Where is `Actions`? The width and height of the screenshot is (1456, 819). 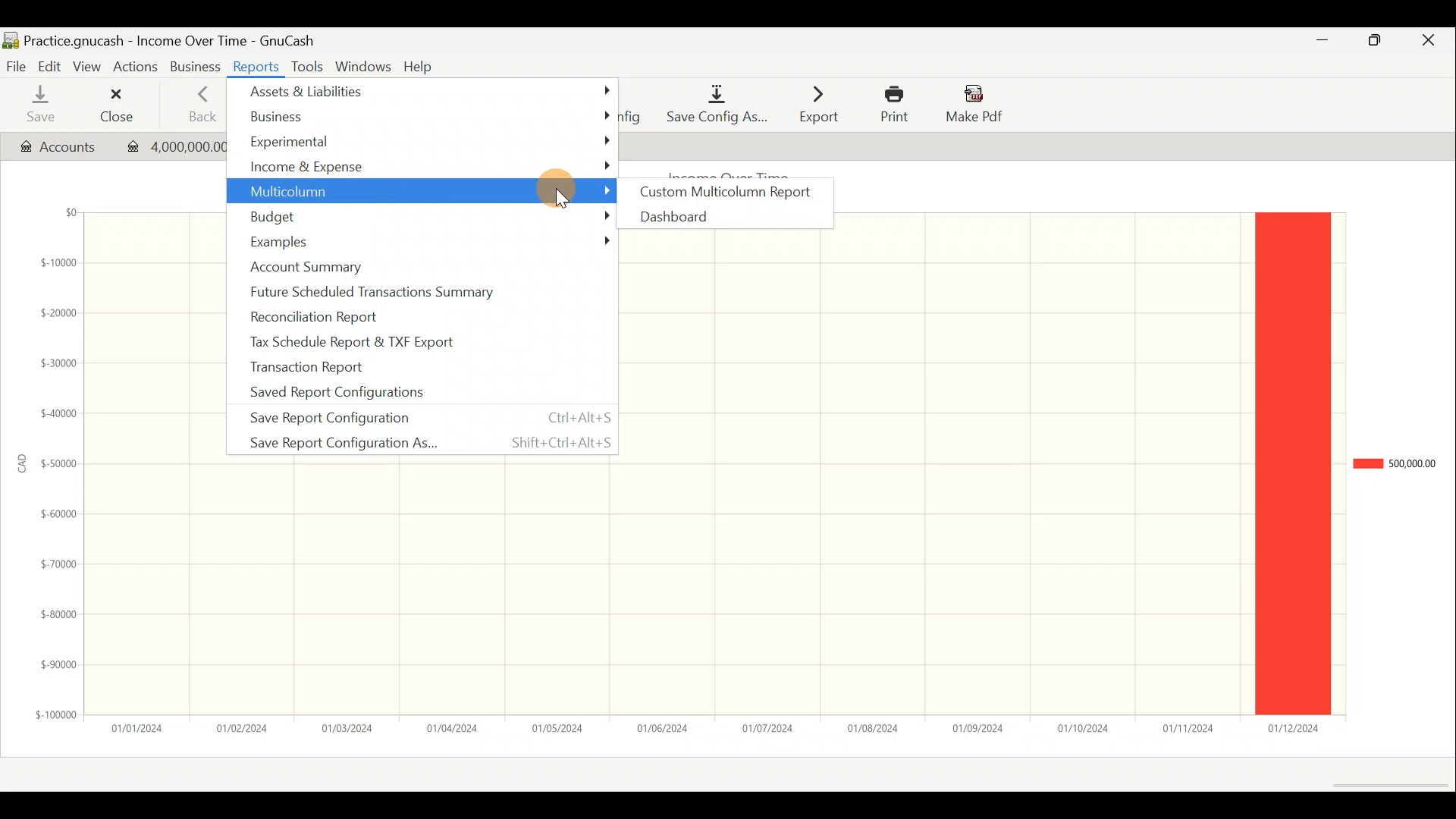 Actions is located at coordinates (139, 71).